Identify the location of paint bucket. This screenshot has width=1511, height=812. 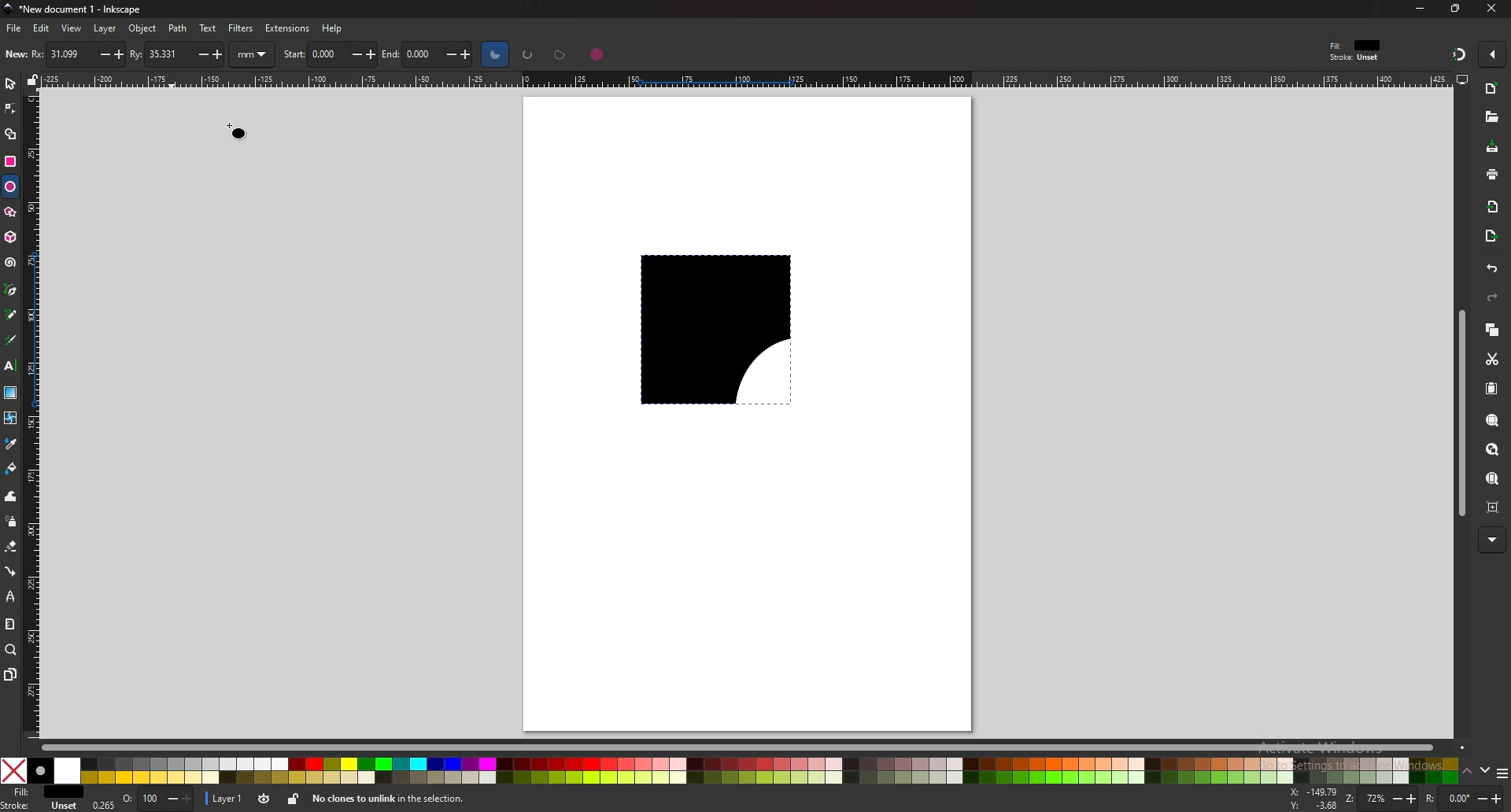
(12, 469).